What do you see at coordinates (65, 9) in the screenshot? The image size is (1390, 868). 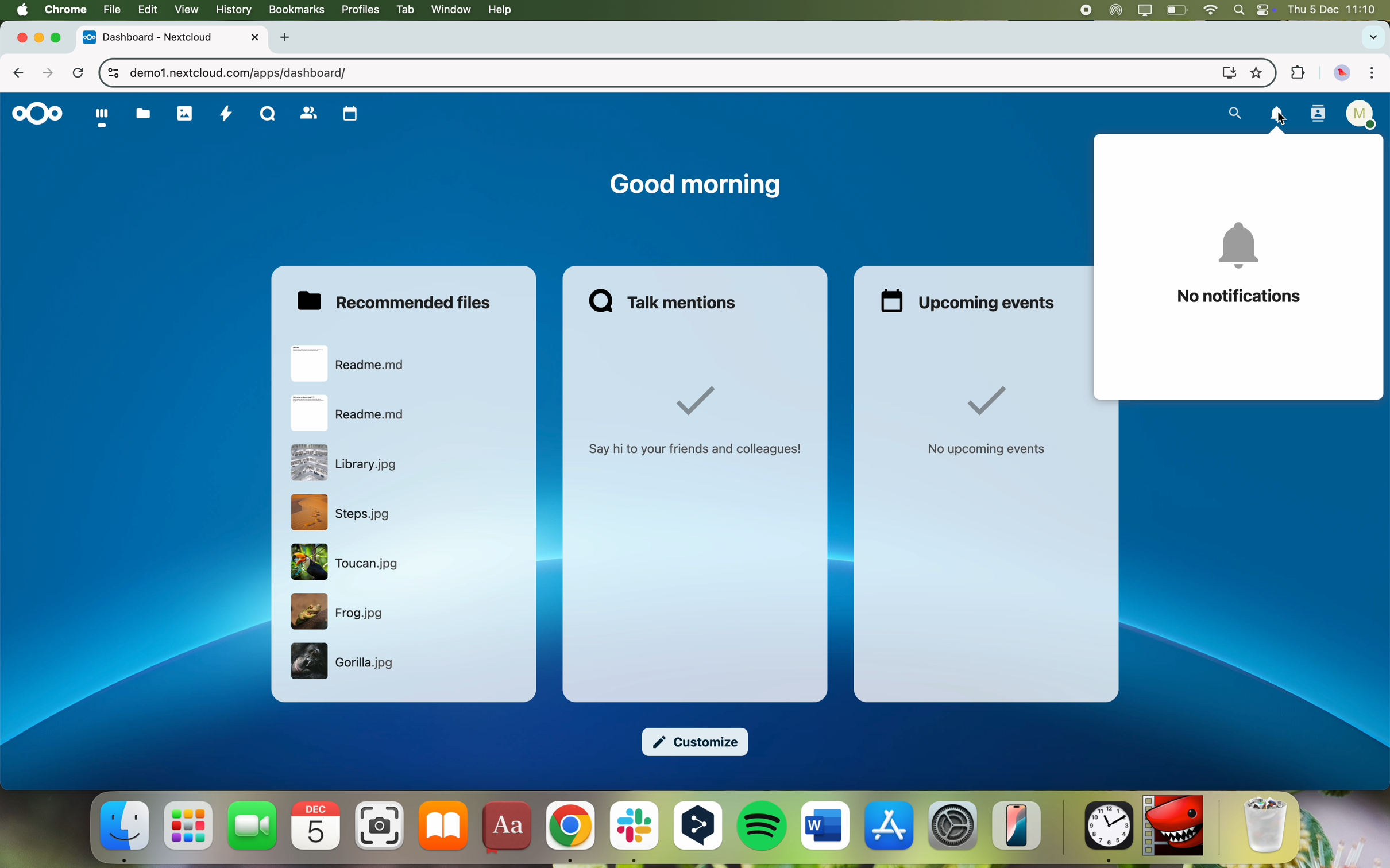 I see `Chrome` at bounding box center [65, 9].